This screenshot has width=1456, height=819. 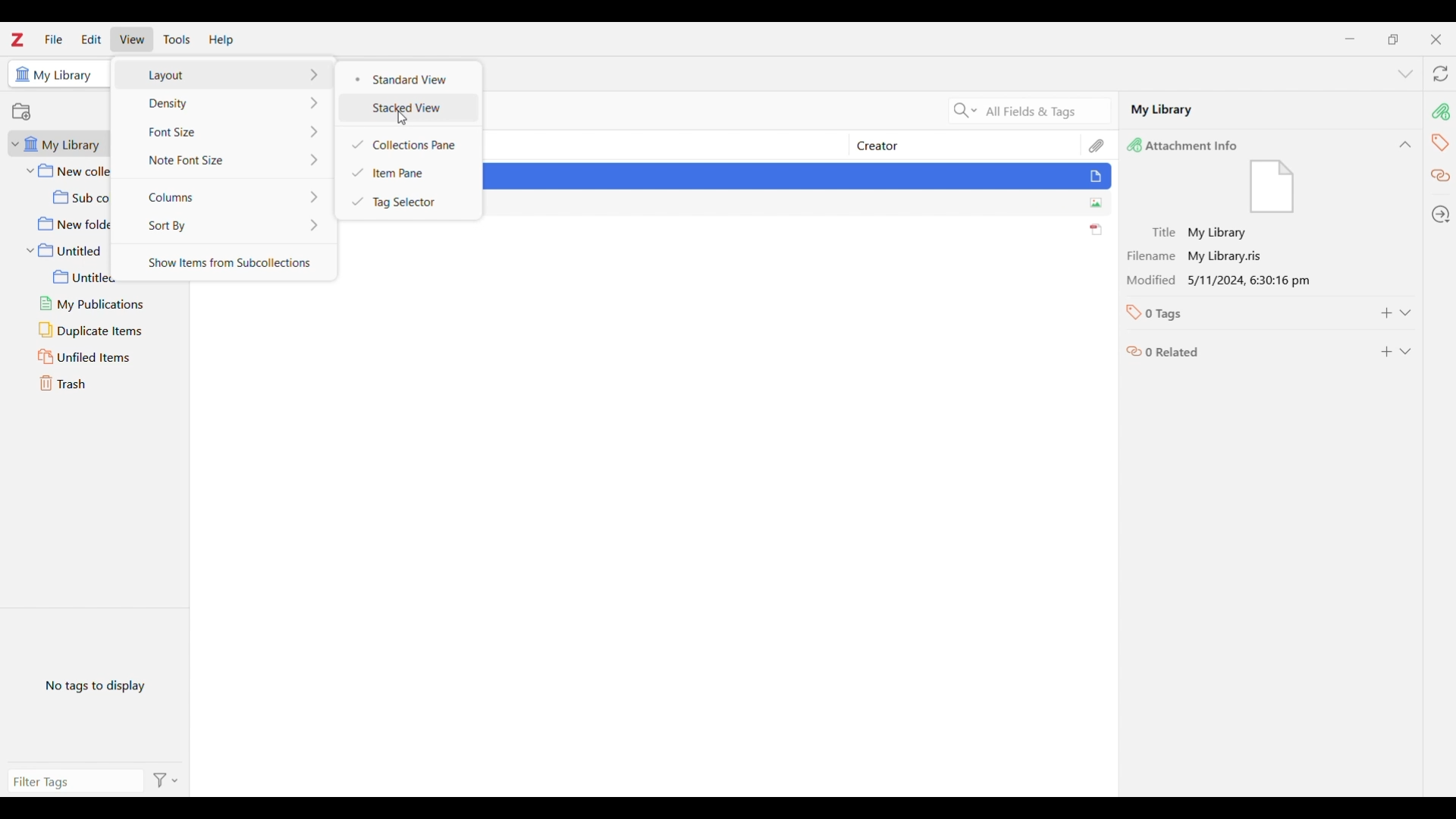 I want to click on Stacked view, so click(x=409, y=108).